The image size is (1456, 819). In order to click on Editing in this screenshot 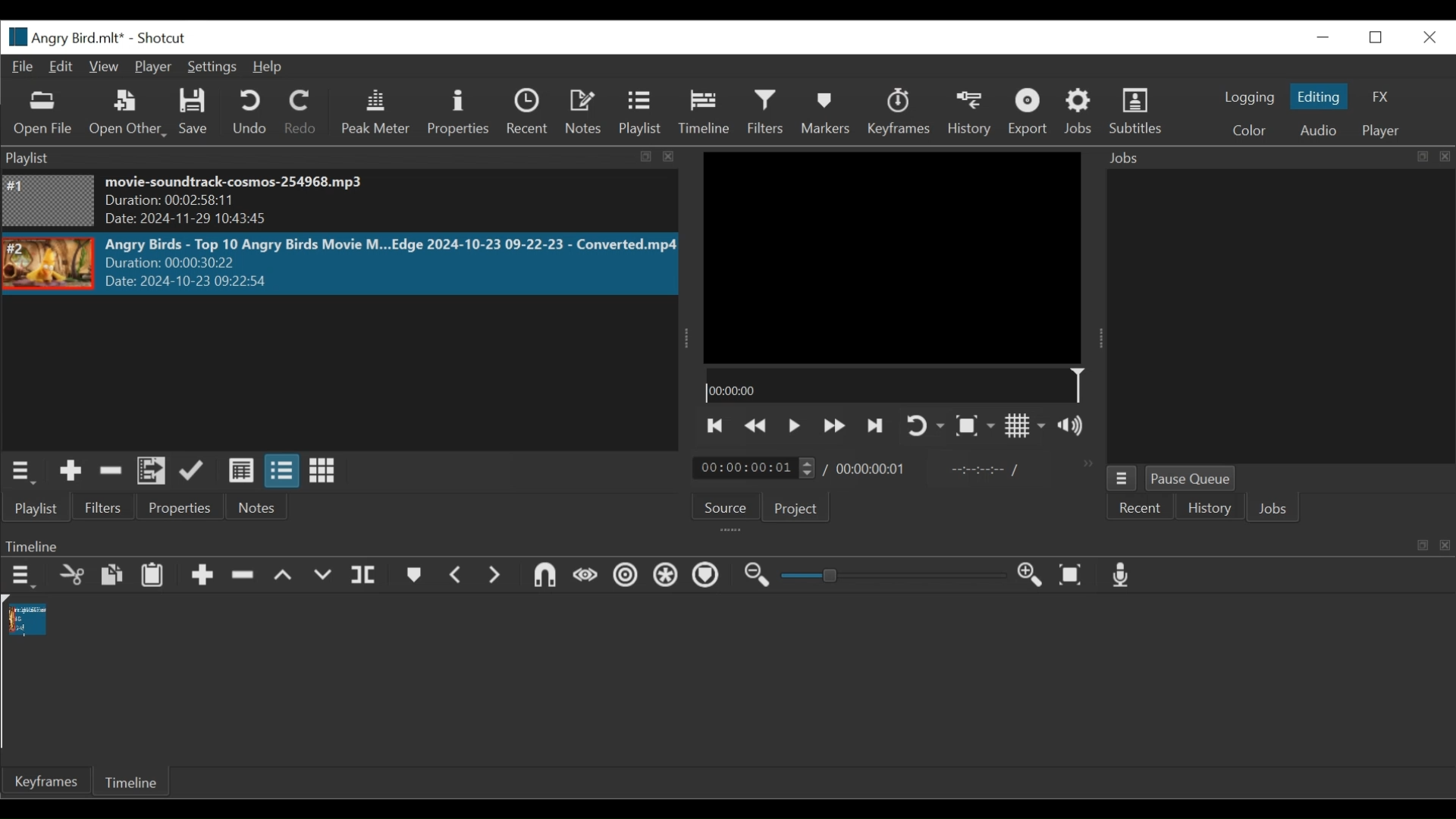, I will do `click(1319, 97)`.